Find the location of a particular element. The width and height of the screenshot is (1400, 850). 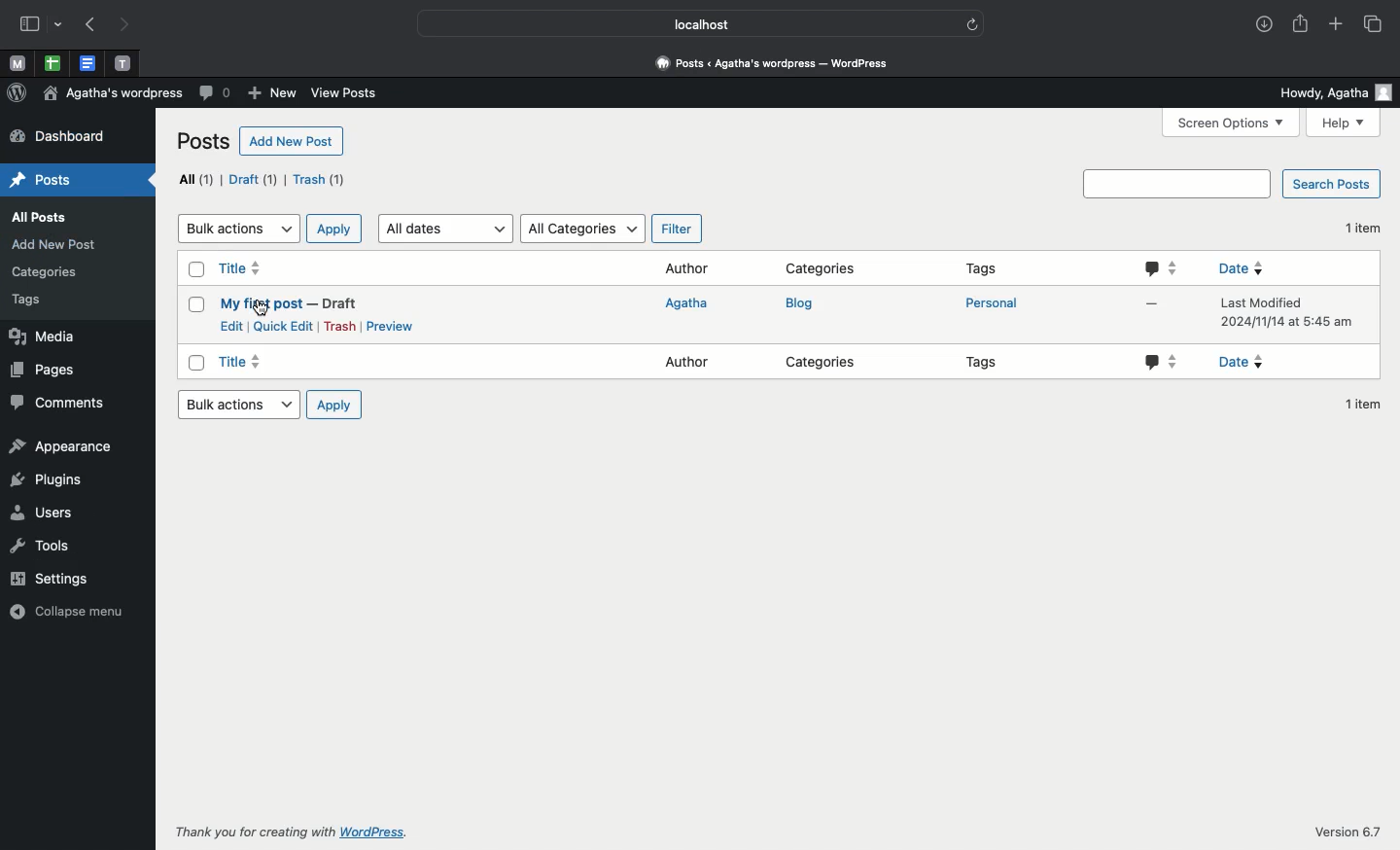

Bulk actions is located at coordinates (236, 405).